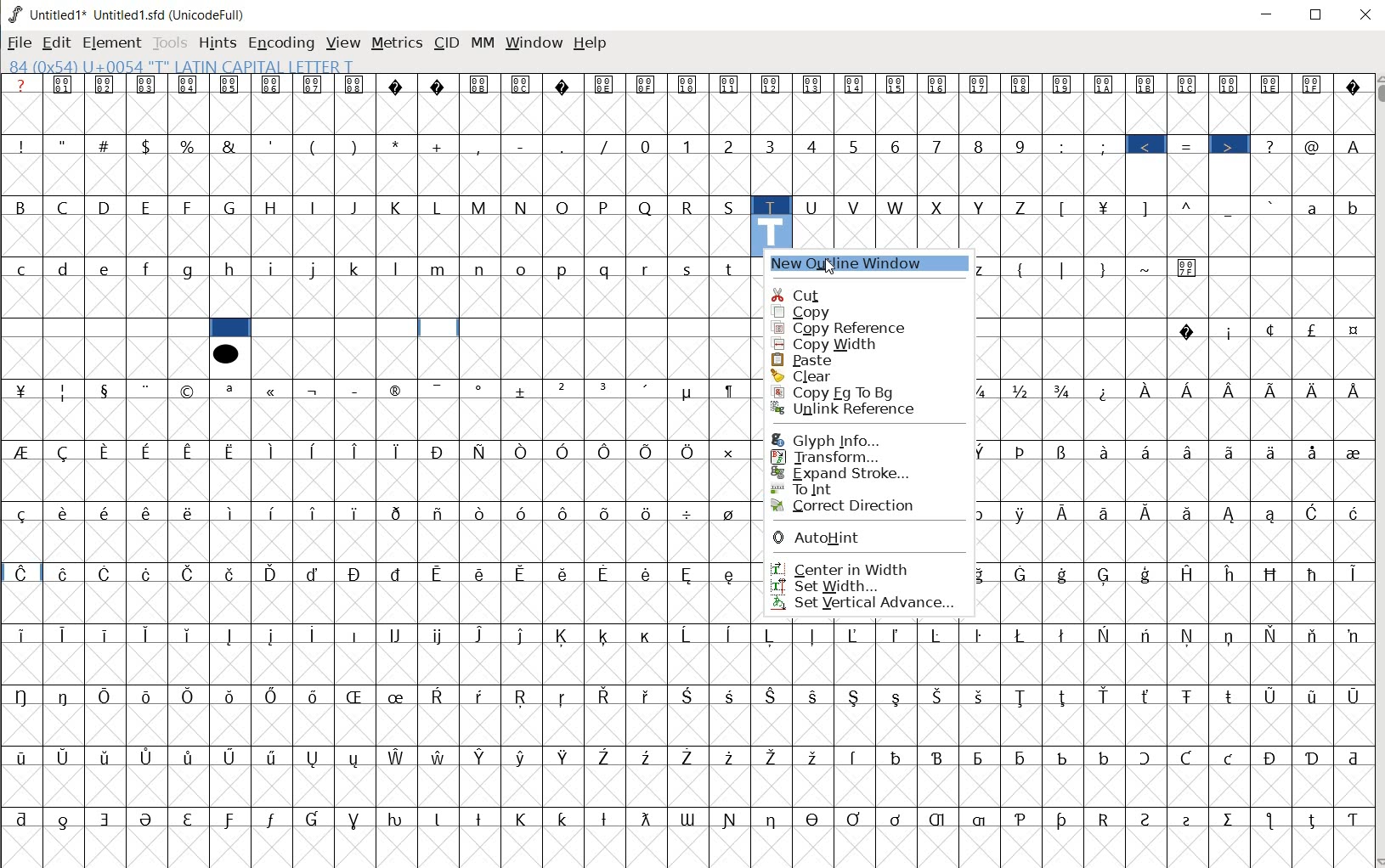 This screenshot has height=868, width=1385. Describe the element at coordinates (815, 145) in the screenshot. I see `4` at that location.